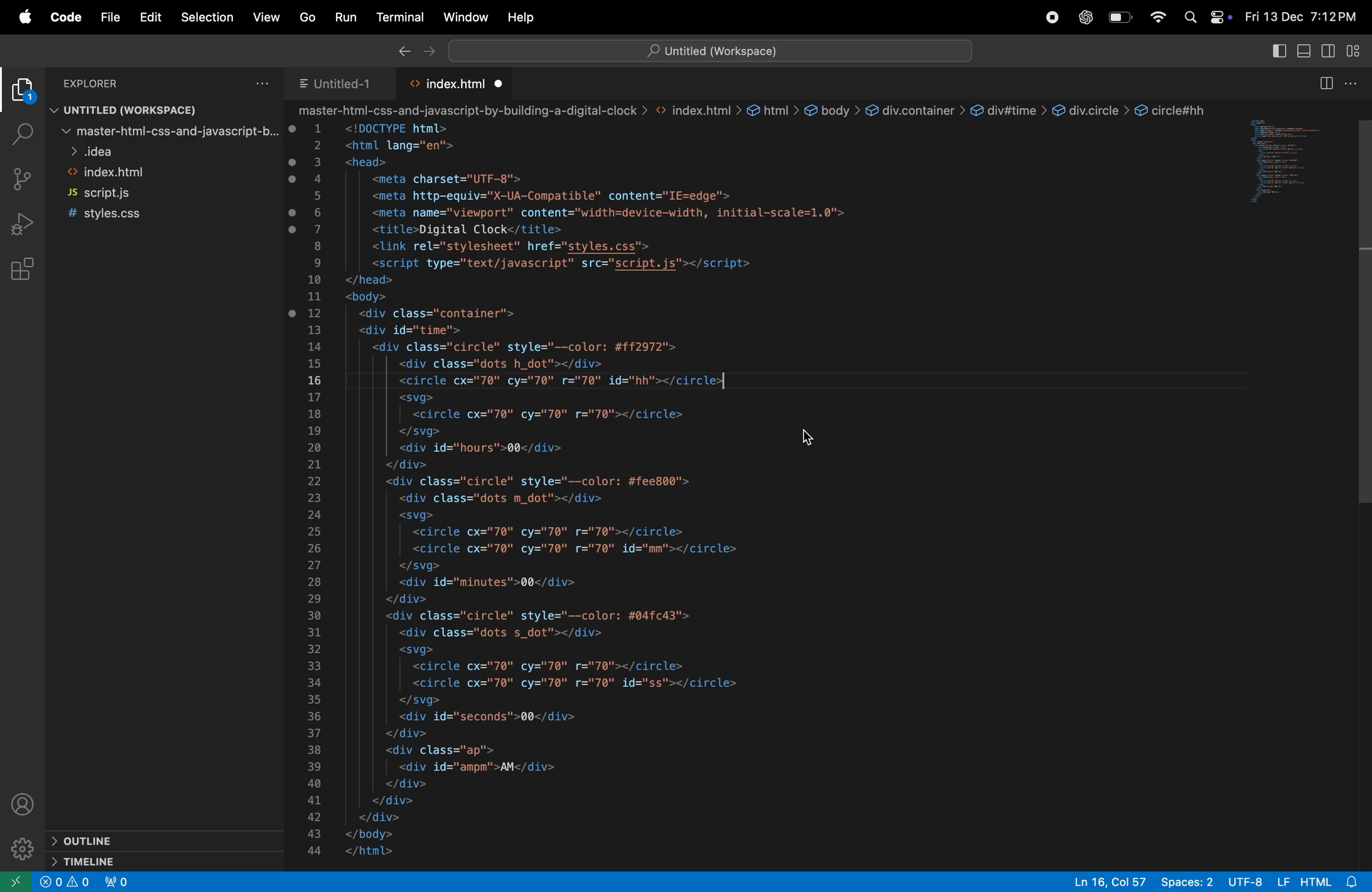 The width and height of the screenshot is (1372, 892). What do you see at coordinates (460, 84) in the screenshot?
I see `index.html tab` at bounding box center [460, 84].